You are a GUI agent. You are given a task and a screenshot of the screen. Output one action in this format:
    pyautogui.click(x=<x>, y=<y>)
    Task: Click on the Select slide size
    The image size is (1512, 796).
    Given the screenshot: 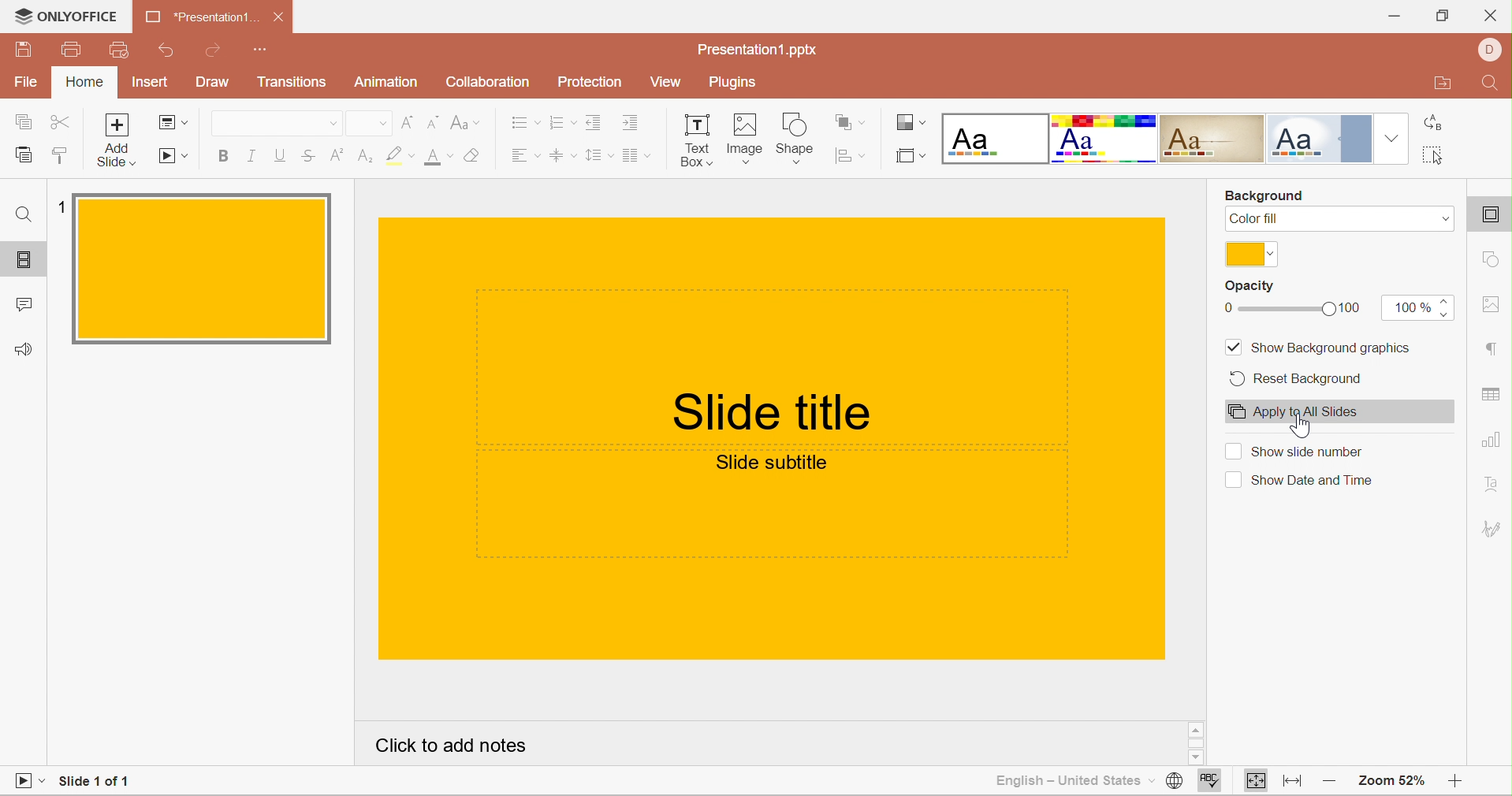 What is the action you would take?
    pyautogui.click(x=911, y=156)
    